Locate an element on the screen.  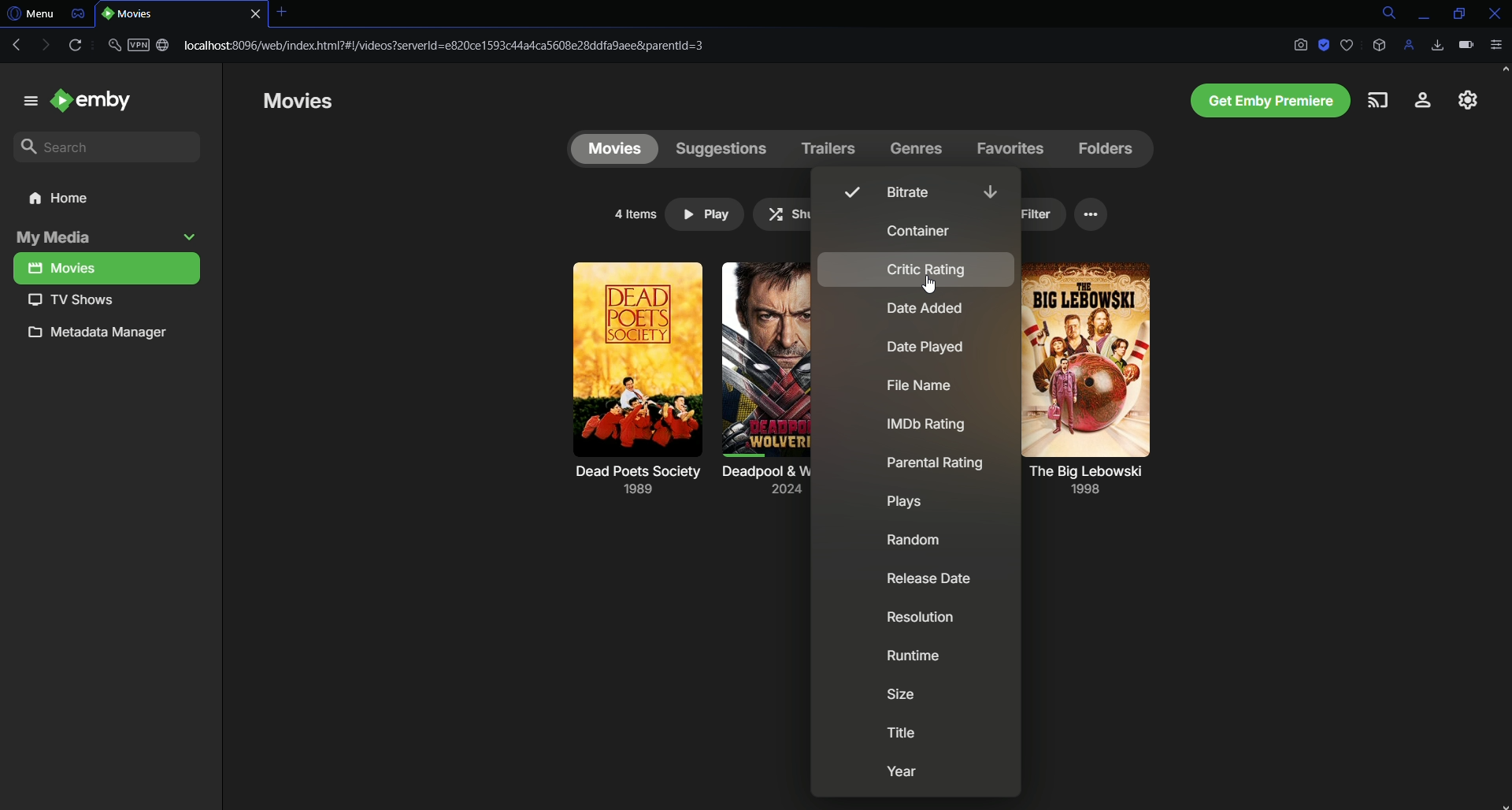
Critic Rating is located at coordinates (924, 270).